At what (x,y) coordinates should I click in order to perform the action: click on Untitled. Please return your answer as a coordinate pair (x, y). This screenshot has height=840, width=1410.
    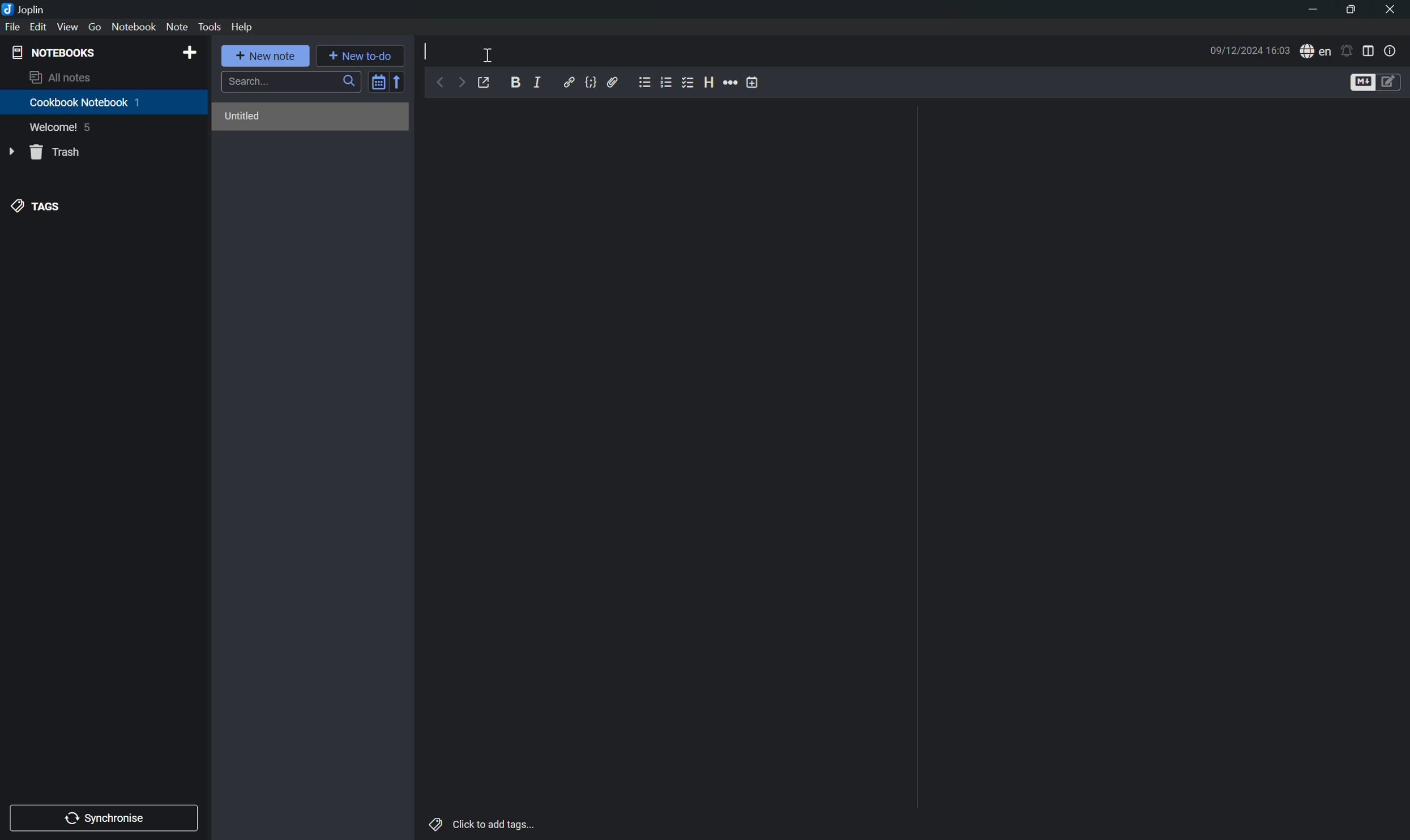
    Looking at the image, I should click on (244, 117).